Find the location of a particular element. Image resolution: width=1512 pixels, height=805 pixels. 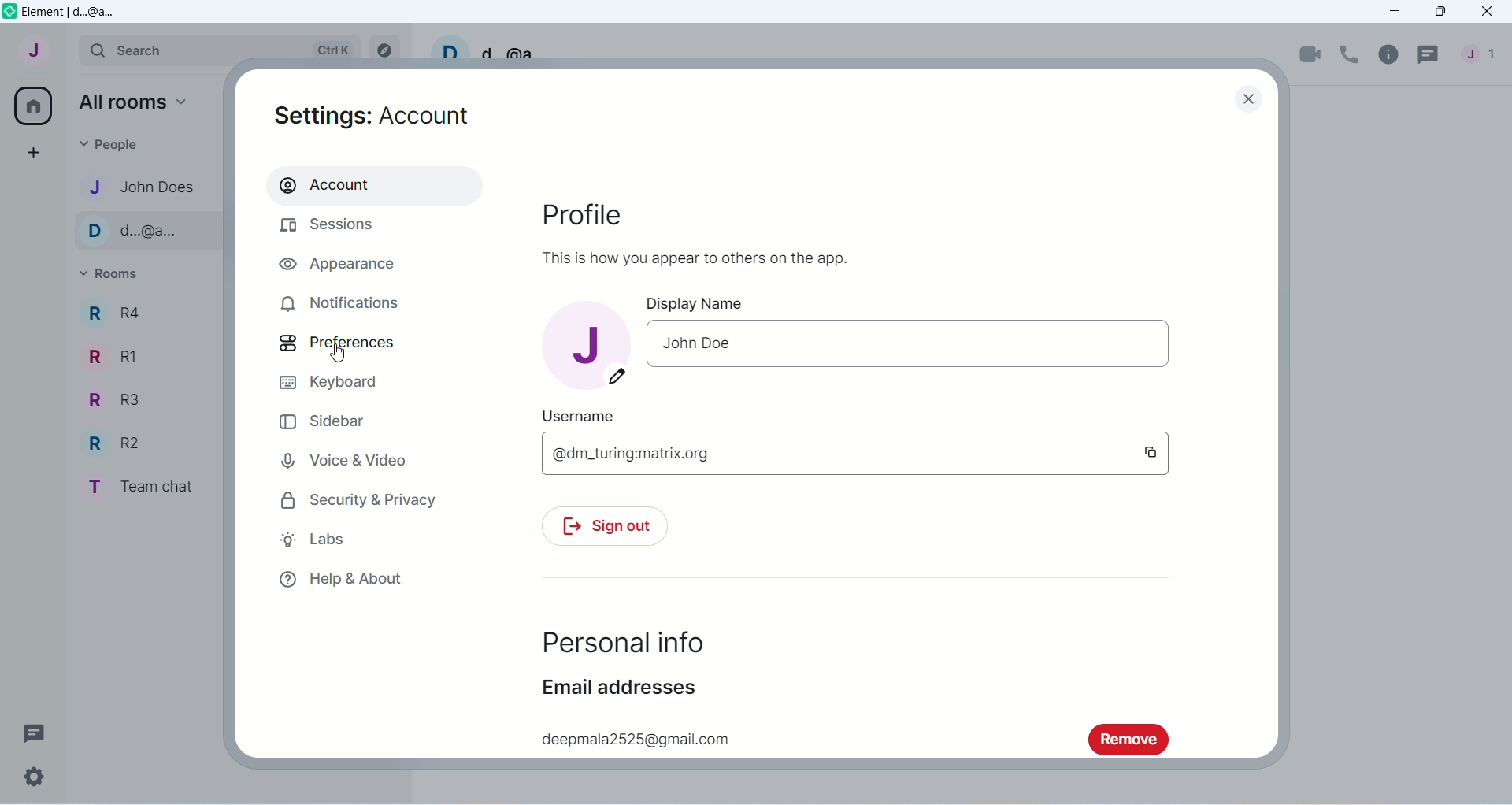

Labs is located at coordinates (339, 539).